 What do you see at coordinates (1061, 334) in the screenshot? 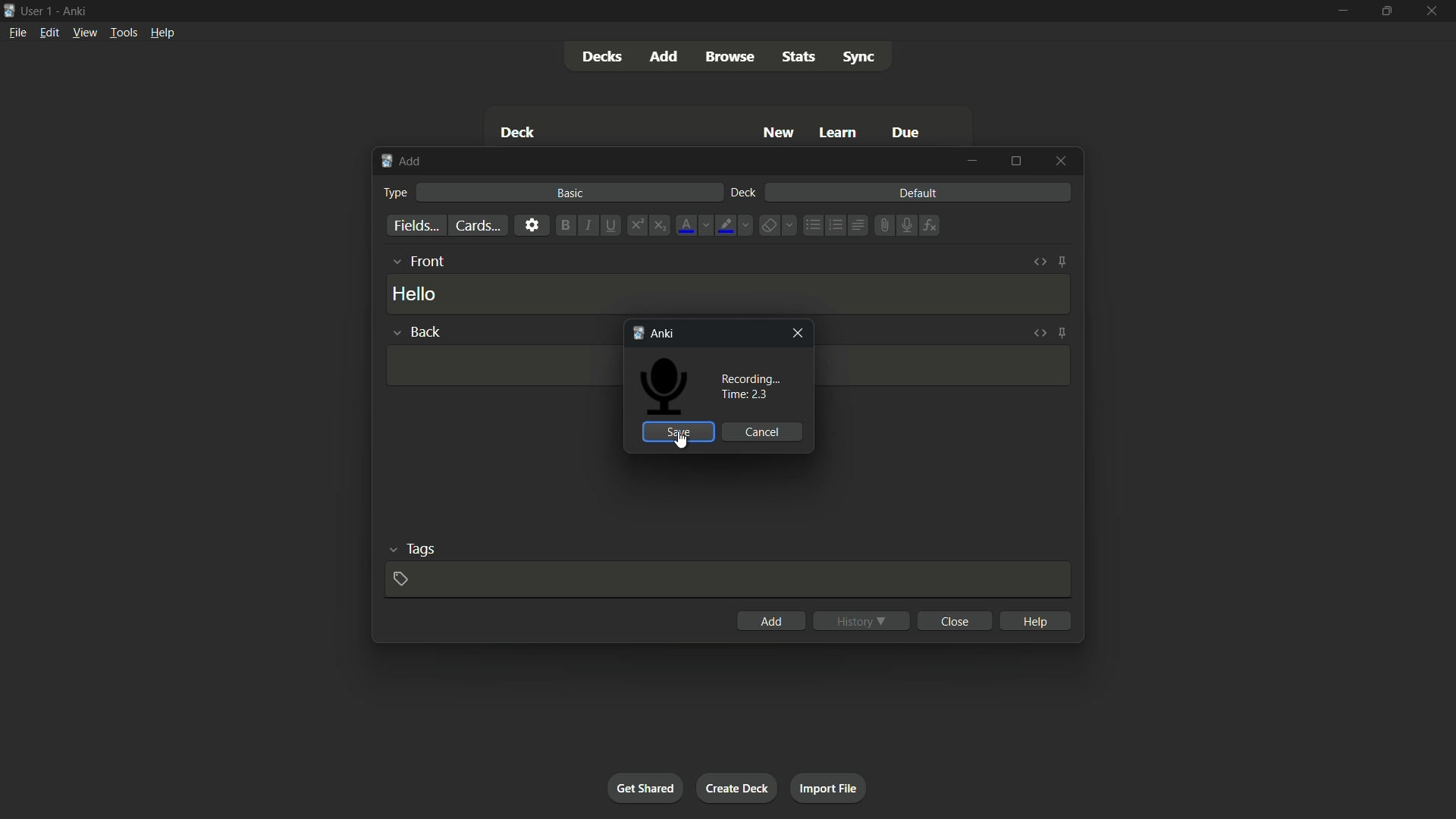
I see `toggle sticky` at bounding box center [1061, 334].